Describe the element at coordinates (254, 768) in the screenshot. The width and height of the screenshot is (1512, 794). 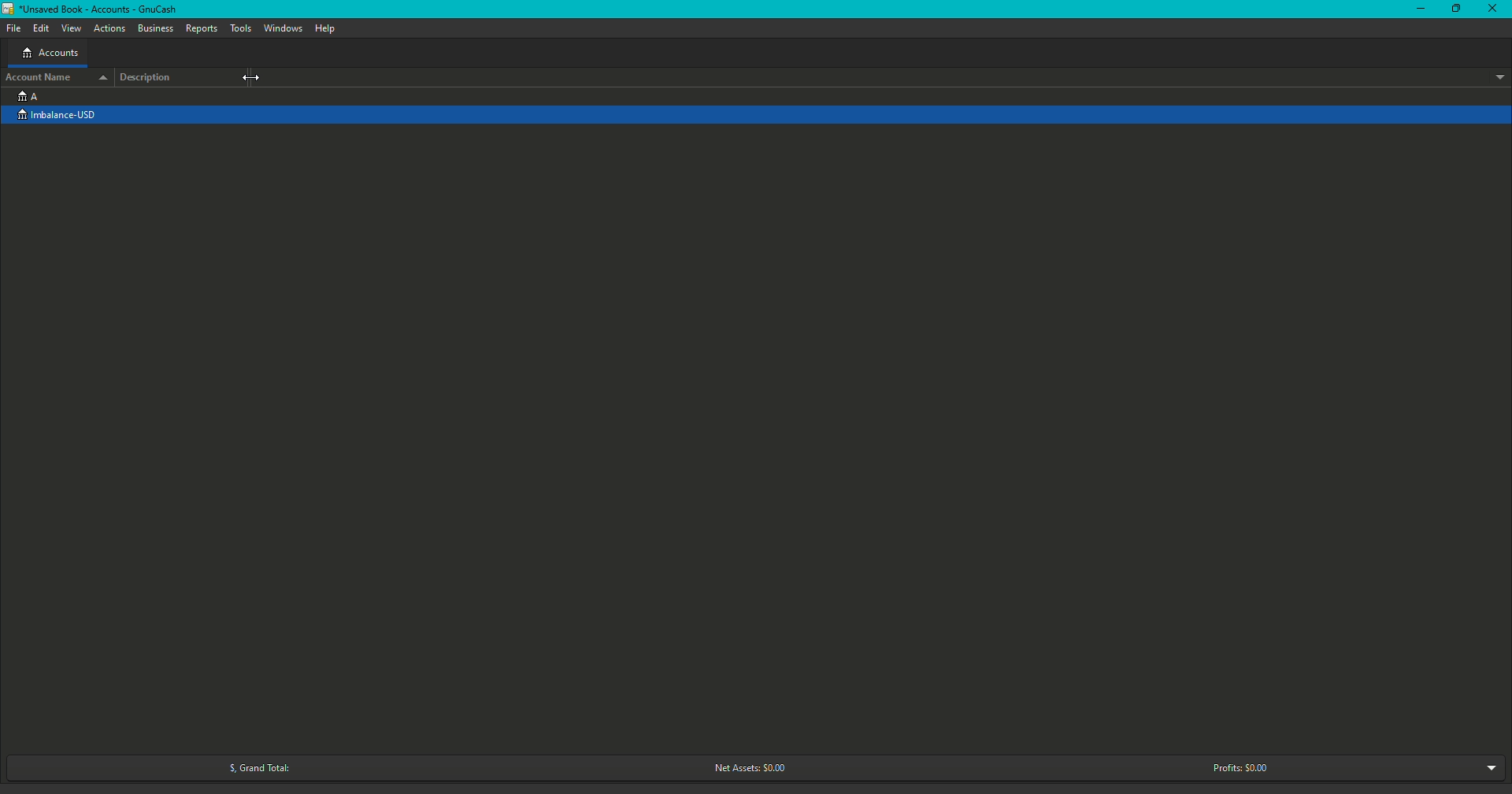
I see `Grand Total` at that location.